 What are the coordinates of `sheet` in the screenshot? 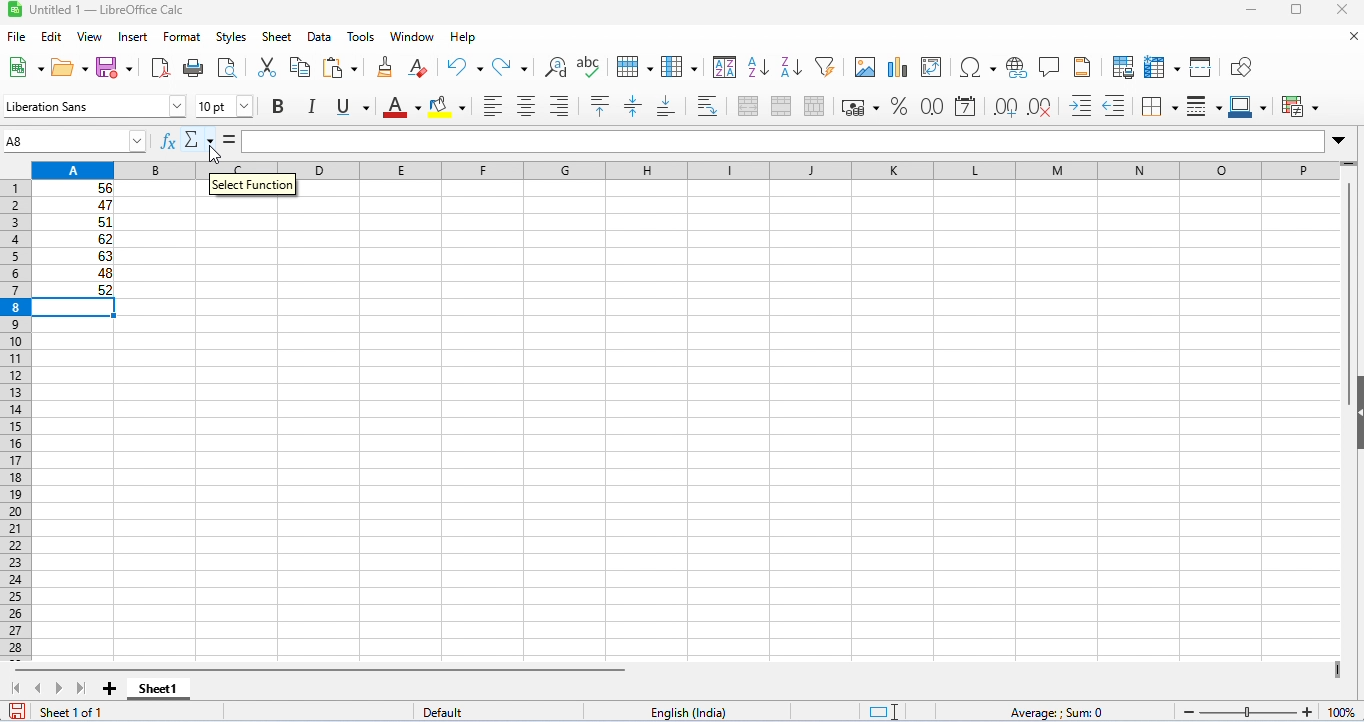 It's located at (277, 37).